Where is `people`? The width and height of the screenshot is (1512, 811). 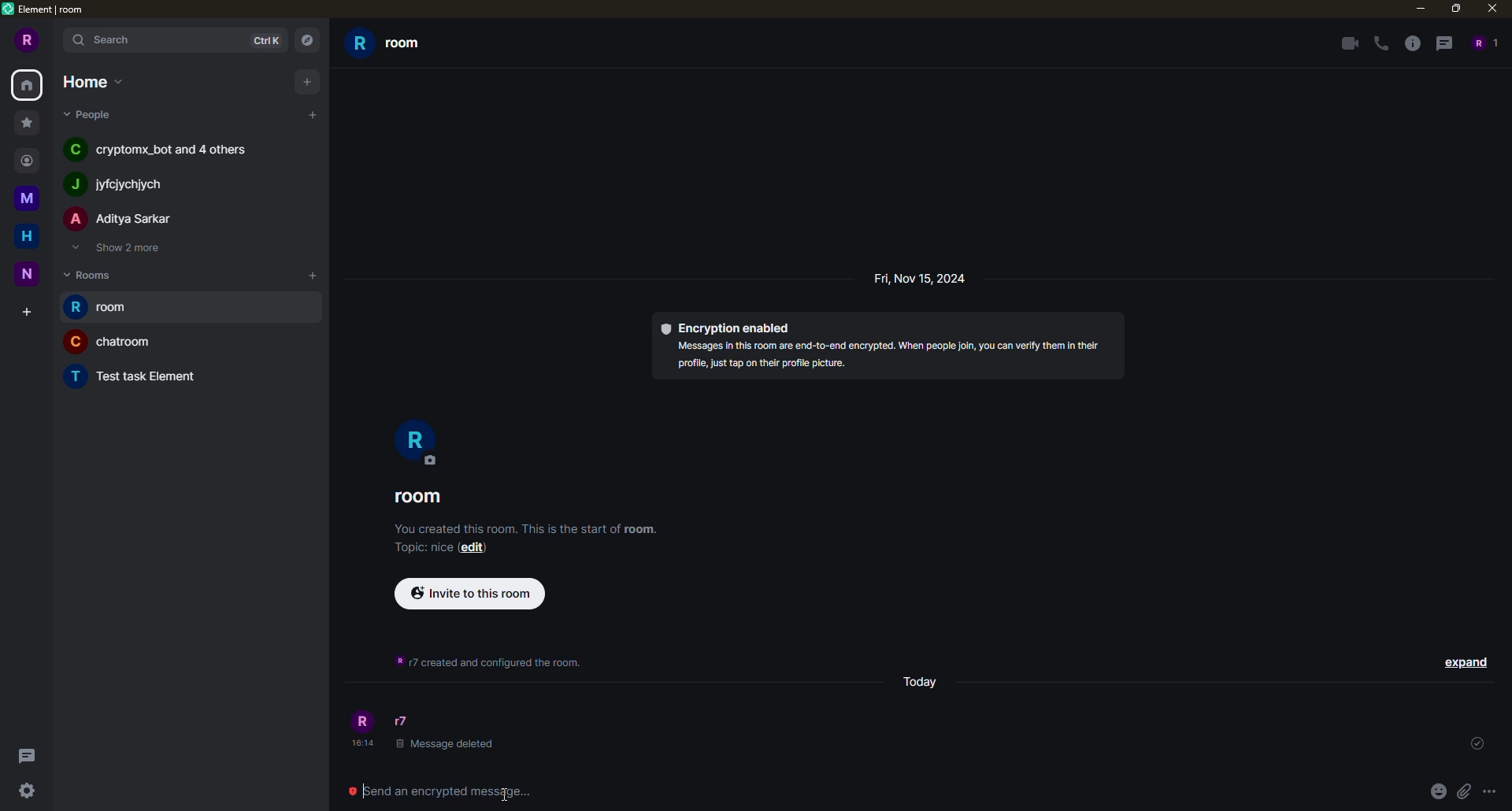
people is located at coordinates (92, 115).